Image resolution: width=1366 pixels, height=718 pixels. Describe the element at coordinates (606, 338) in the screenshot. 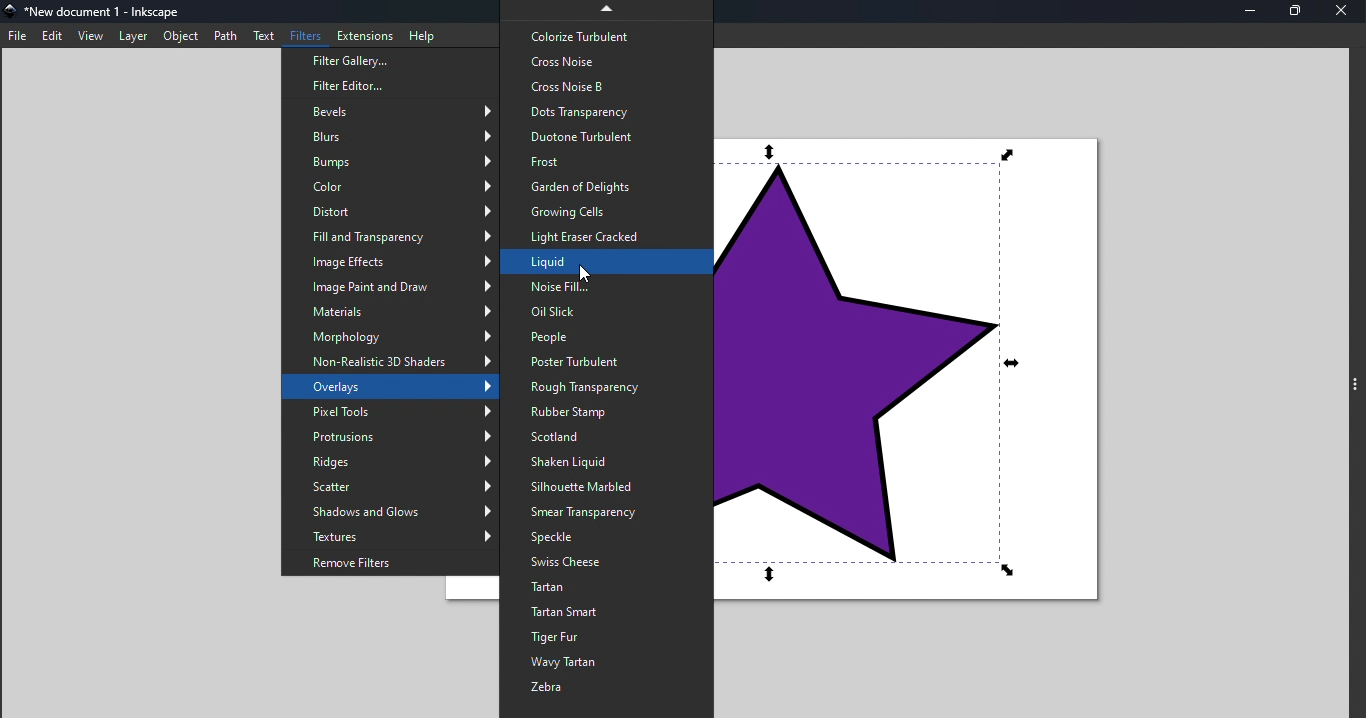

I see `People` at that location.